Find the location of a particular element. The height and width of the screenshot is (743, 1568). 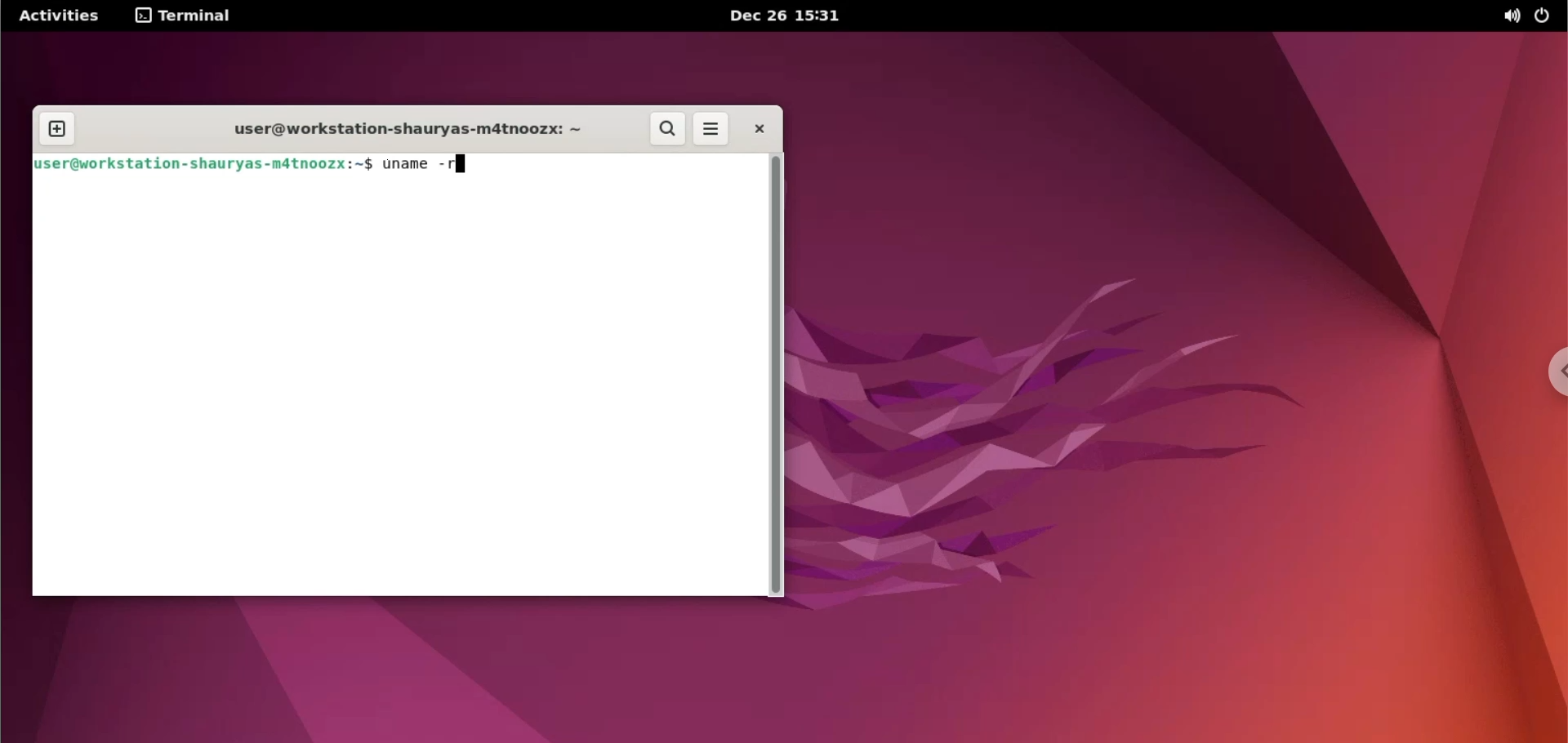

user@workstation-shauryas-mdtnoozx:~ is located at coordinates (390, 130).